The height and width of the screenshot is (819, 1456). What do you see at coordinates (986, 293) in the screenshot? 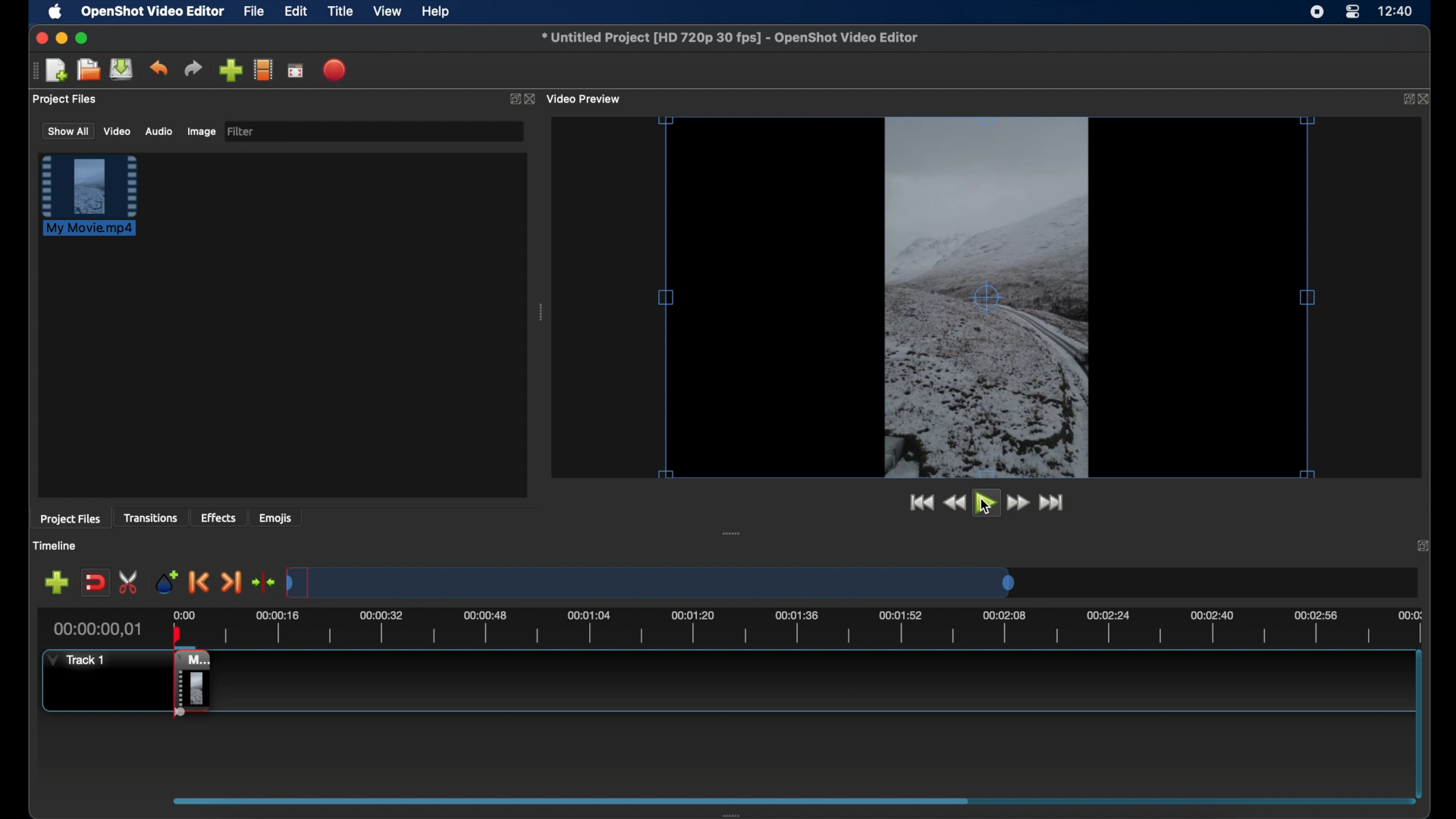
I see `video cursor` at bounding box center [986, 293].